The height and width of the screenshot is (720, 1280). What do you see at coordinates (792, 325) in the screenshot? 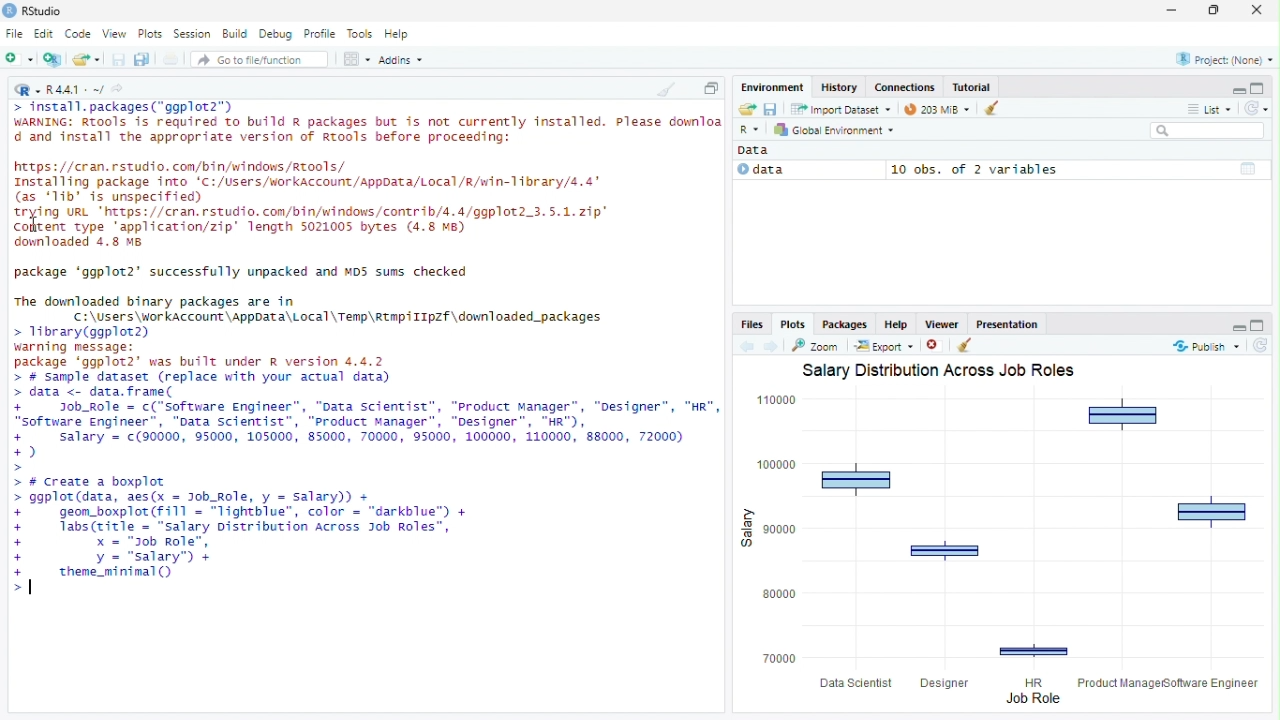
I see `Plots` at bounding box center [792, 325].